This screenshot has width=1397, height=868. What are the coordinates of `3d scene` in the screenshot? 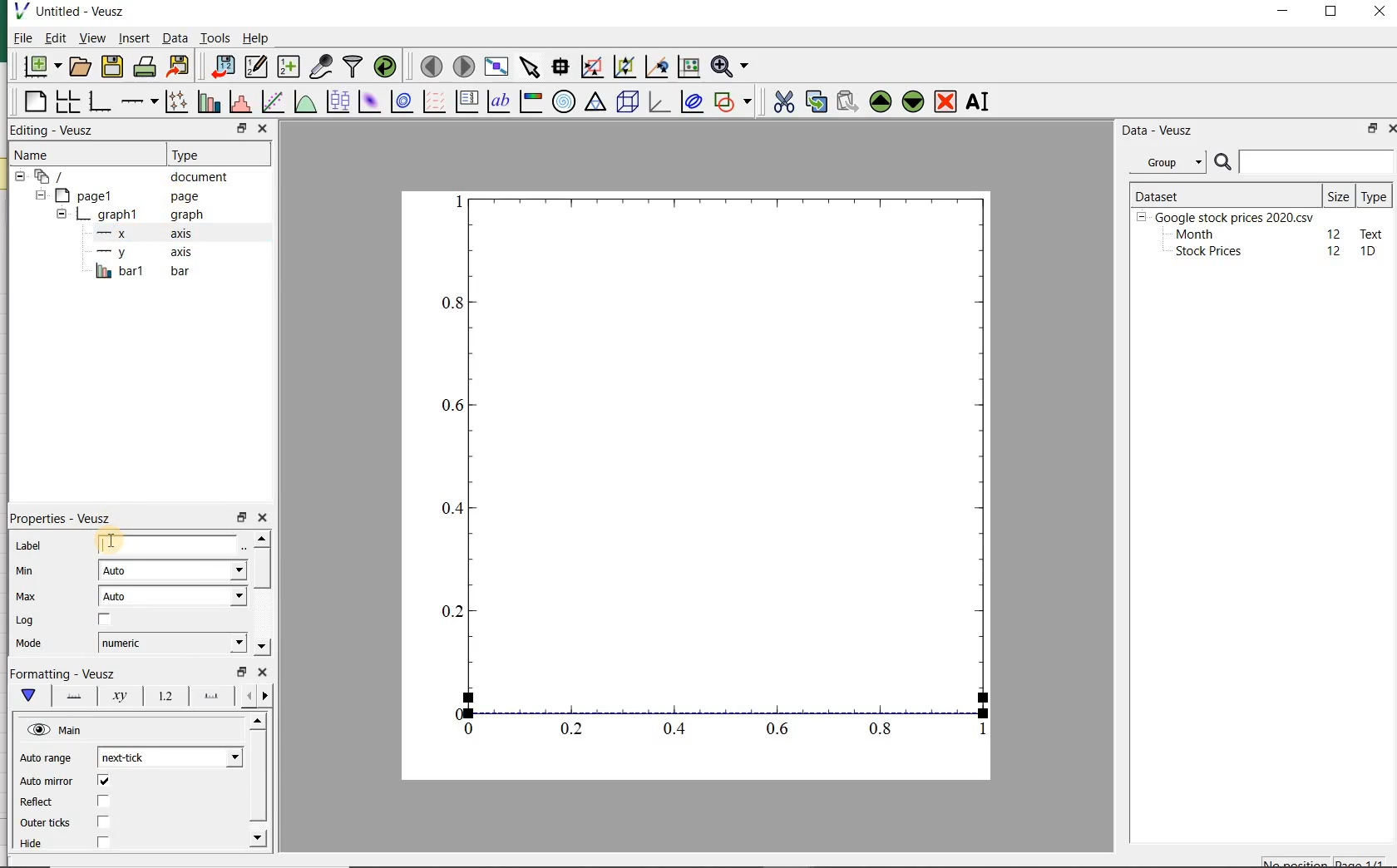 It's located at (628, 103).